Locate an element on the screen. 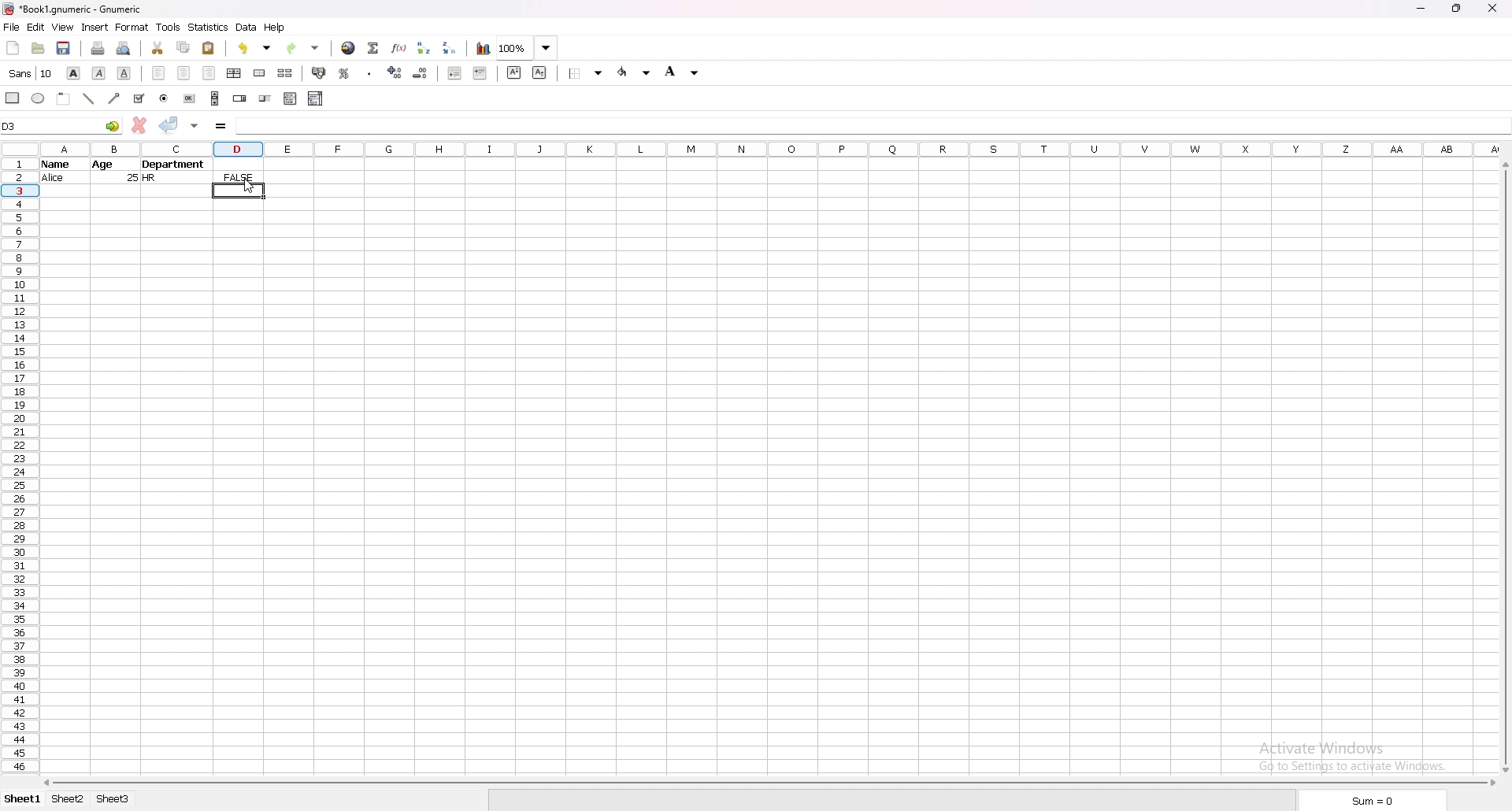  percentage is located at coordinates (343, 73).